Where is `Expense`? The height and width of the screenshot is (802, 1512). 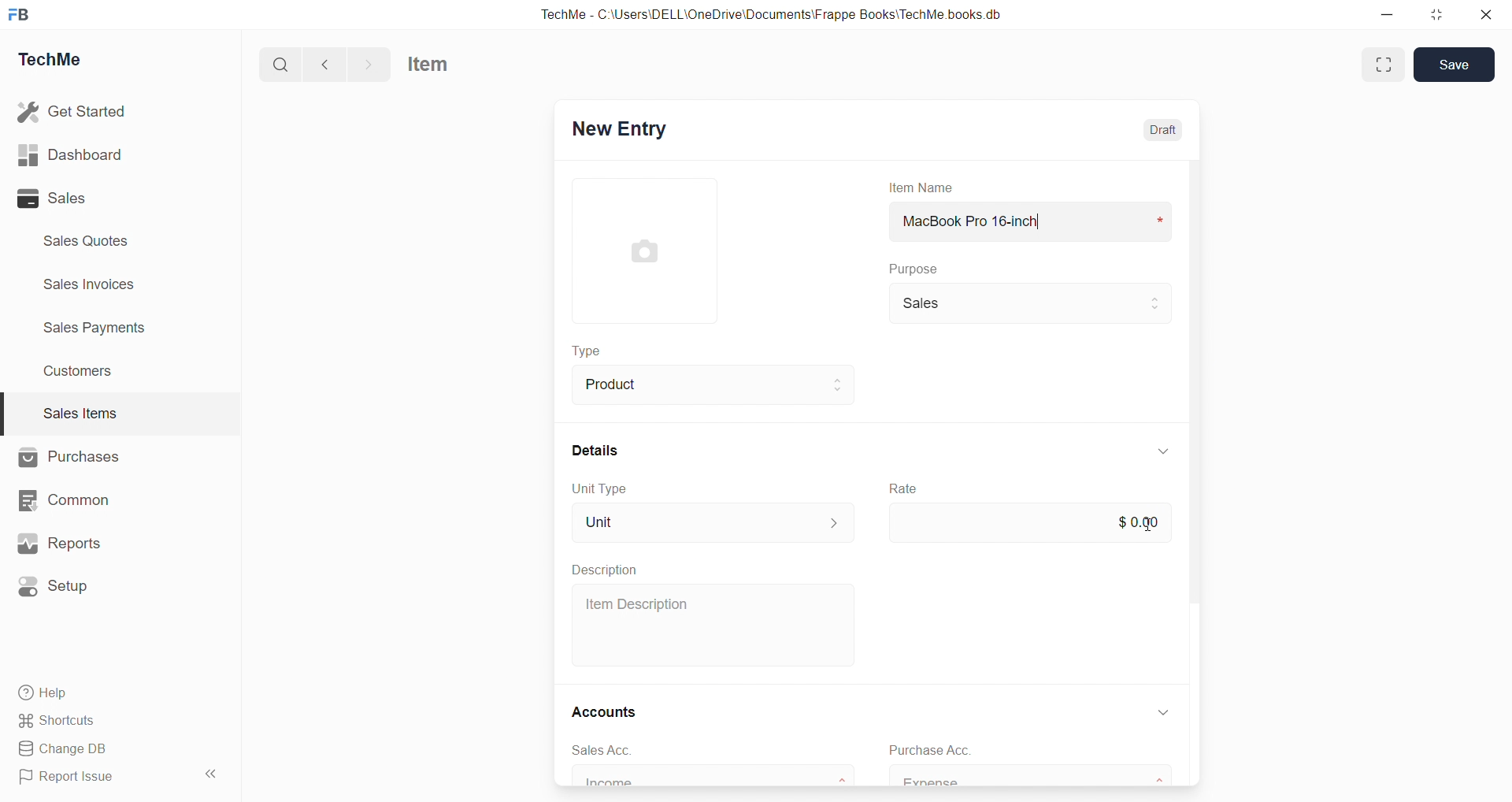
Expense is located at coordinates (1033, 776).